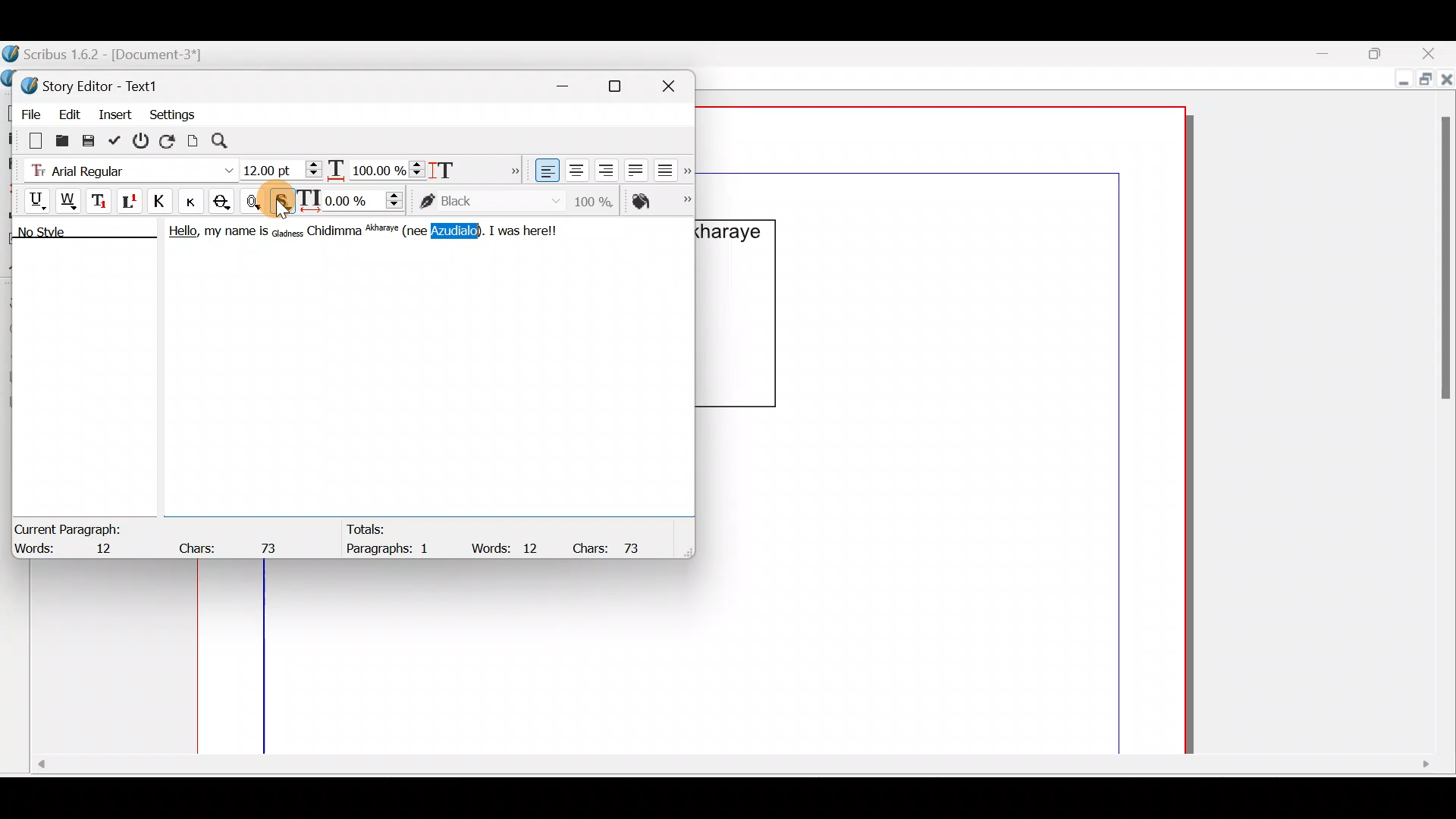  I want to click on Align text justified, so click(634, 168).